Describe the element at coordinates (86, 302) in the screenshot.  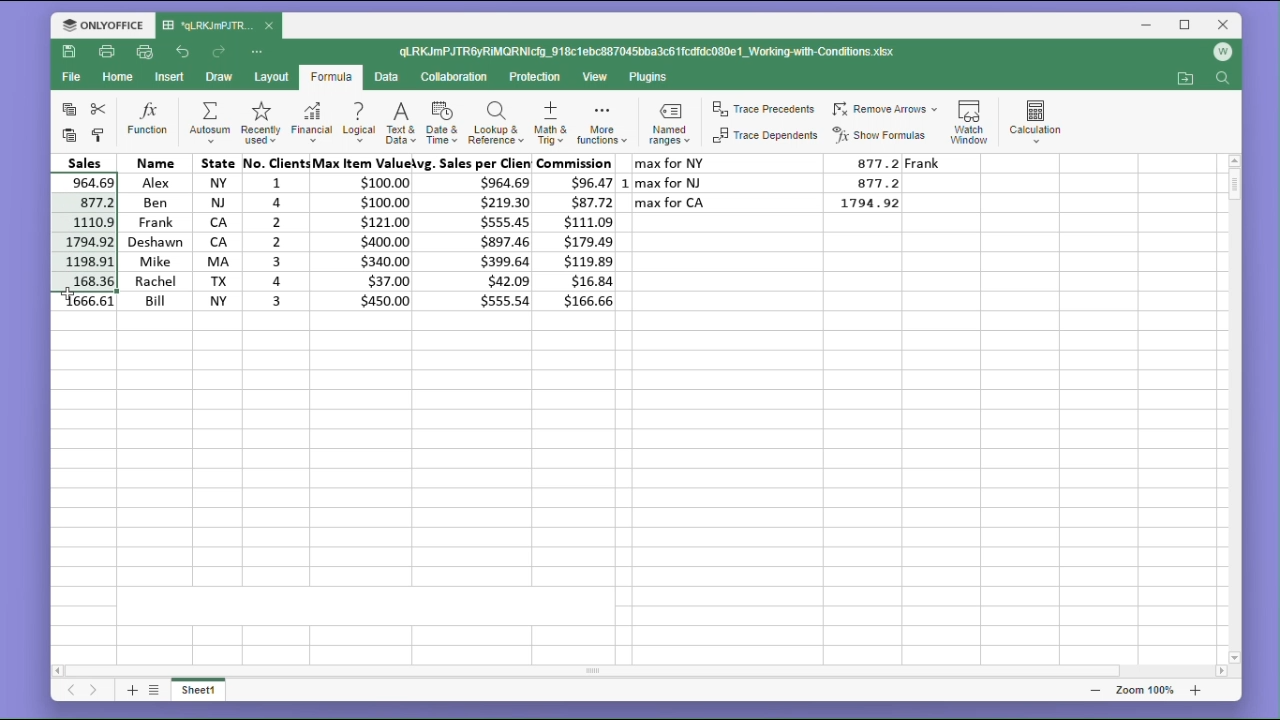
I see `1666.61` at that location.